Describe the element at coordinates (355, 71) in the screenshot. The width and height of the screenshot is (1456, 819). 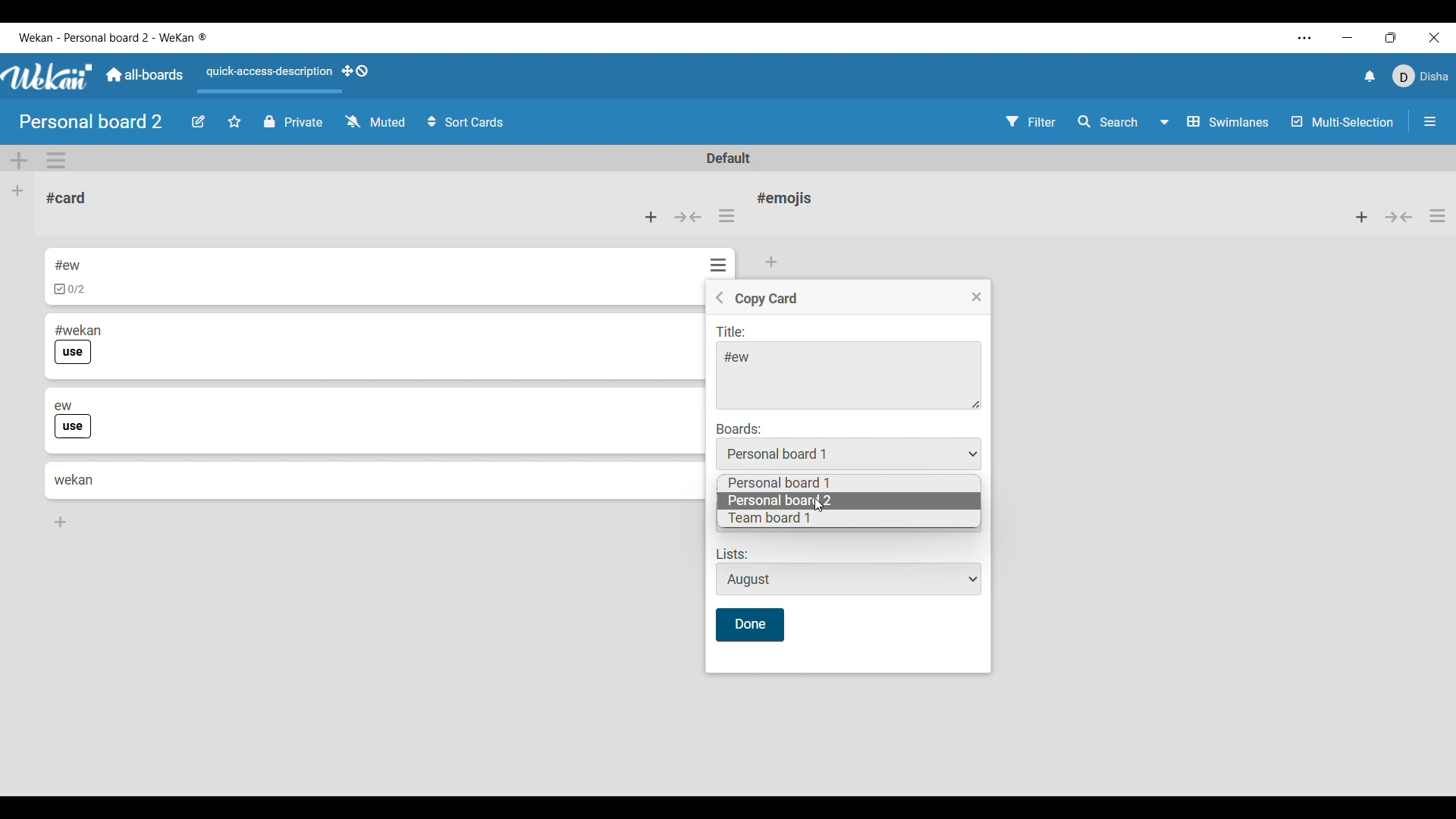
I see `Show desktop drag handles` at that location.